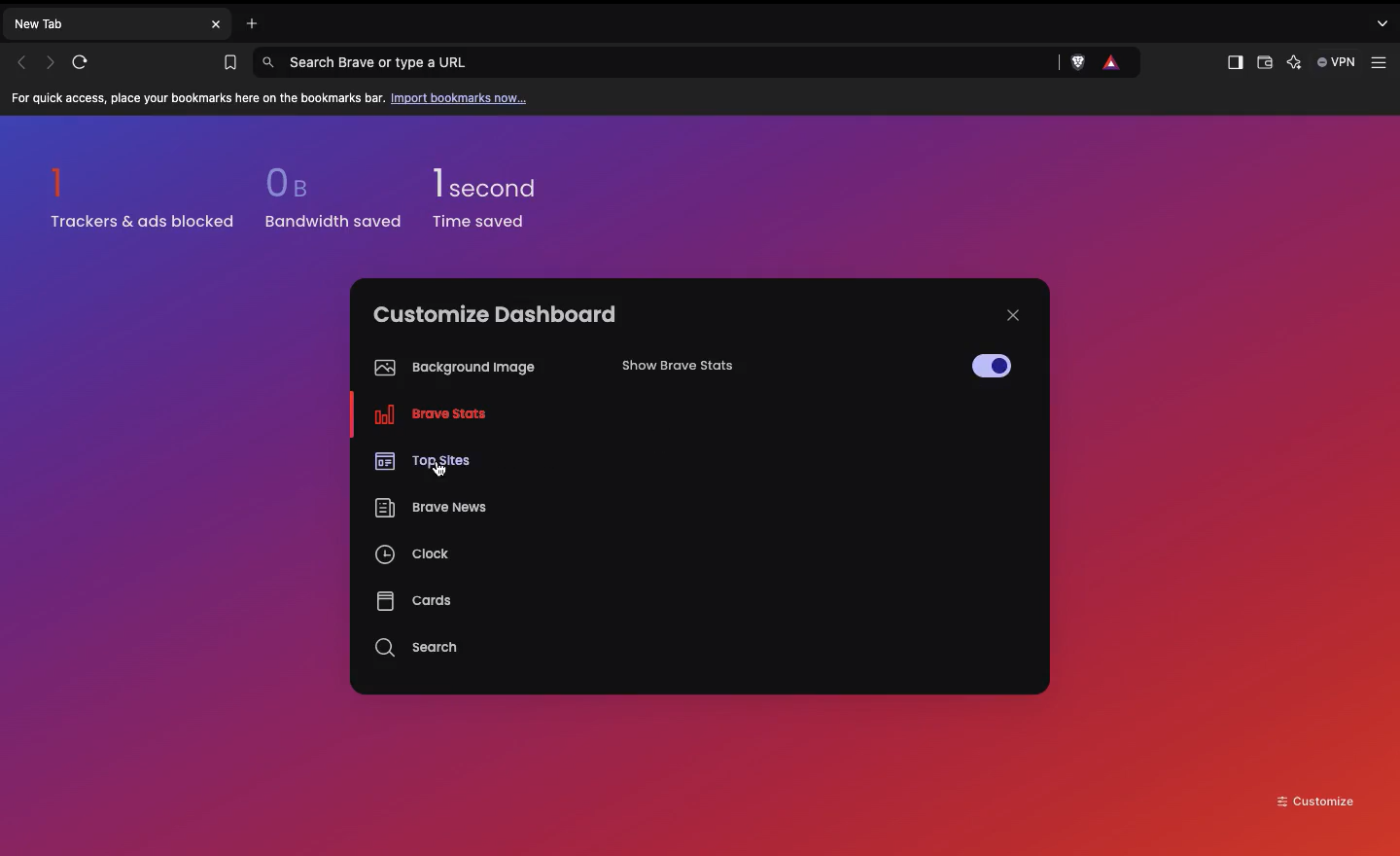 This screenshot has width=1400, height=856. Describe the element at coordinates (1233, 63) in the screenshot. I see `Sidebar` at that location.